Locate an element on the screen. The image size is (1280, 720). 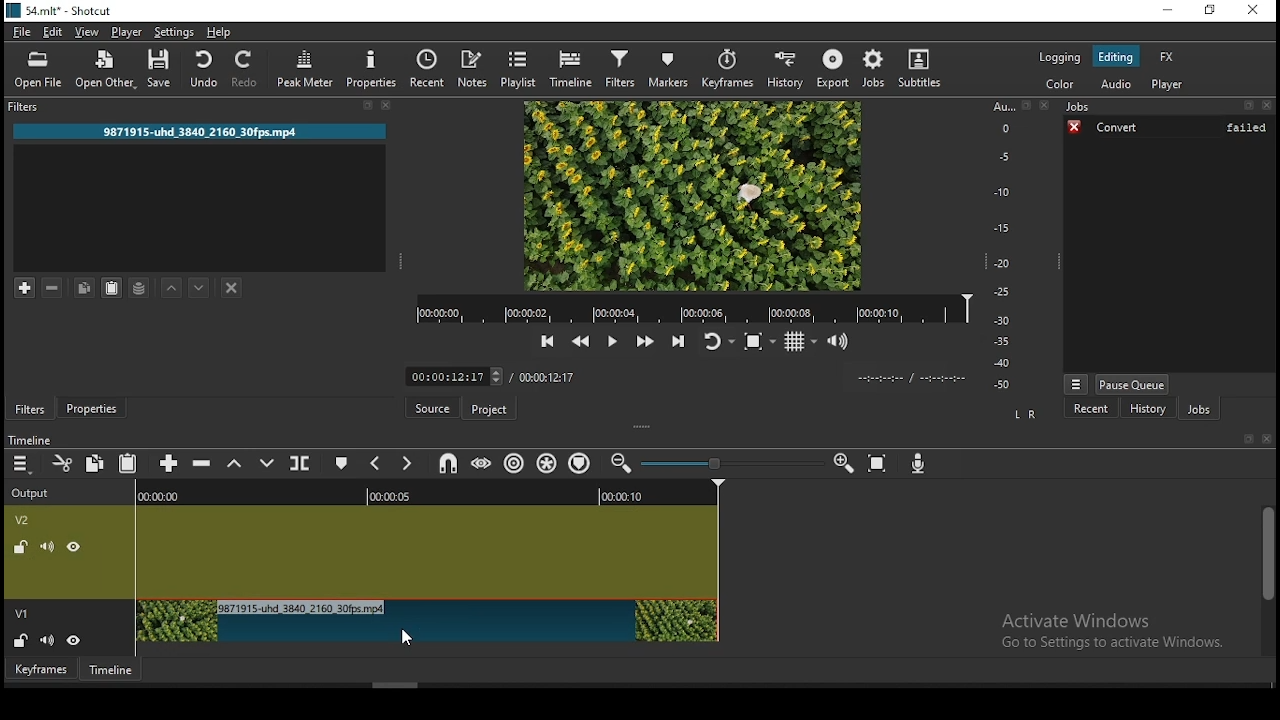
view/hide is located at coordinates (73, 548).